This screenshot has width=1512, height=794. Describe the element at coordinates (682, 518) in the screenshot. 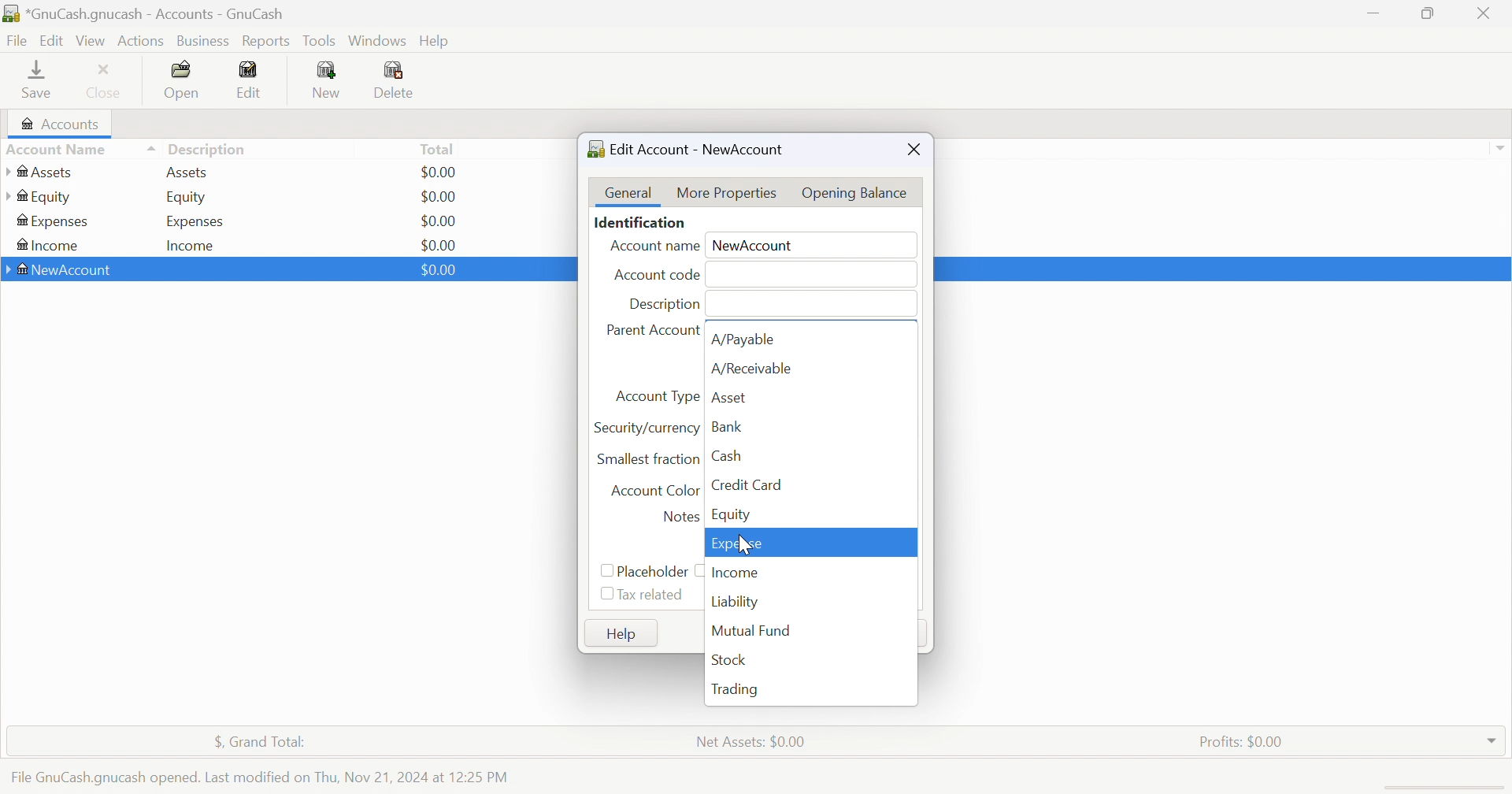

I see `Notes` at that location.